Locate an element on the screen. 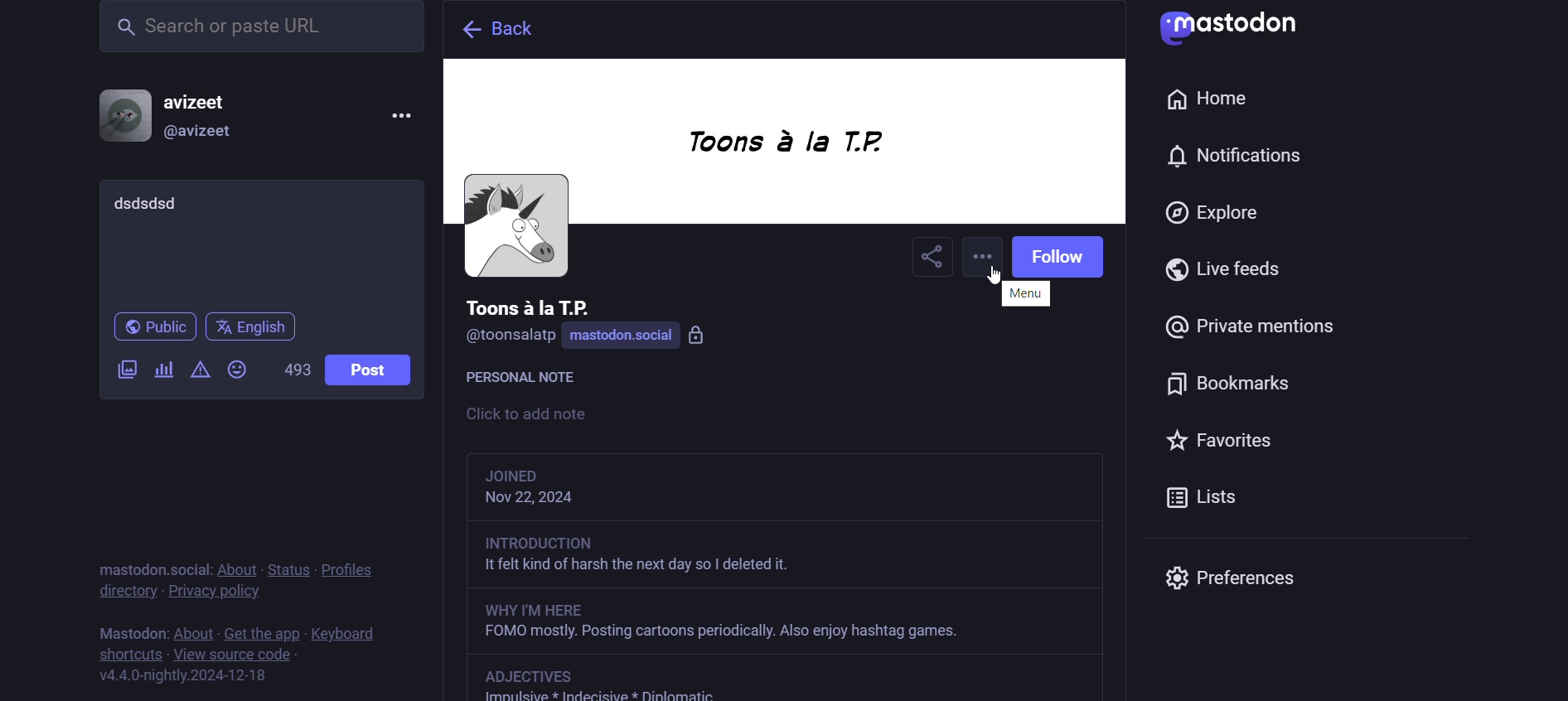 The height and width of the screenshot is (701, 1568). favorites is located at coordinates (1216, 441).